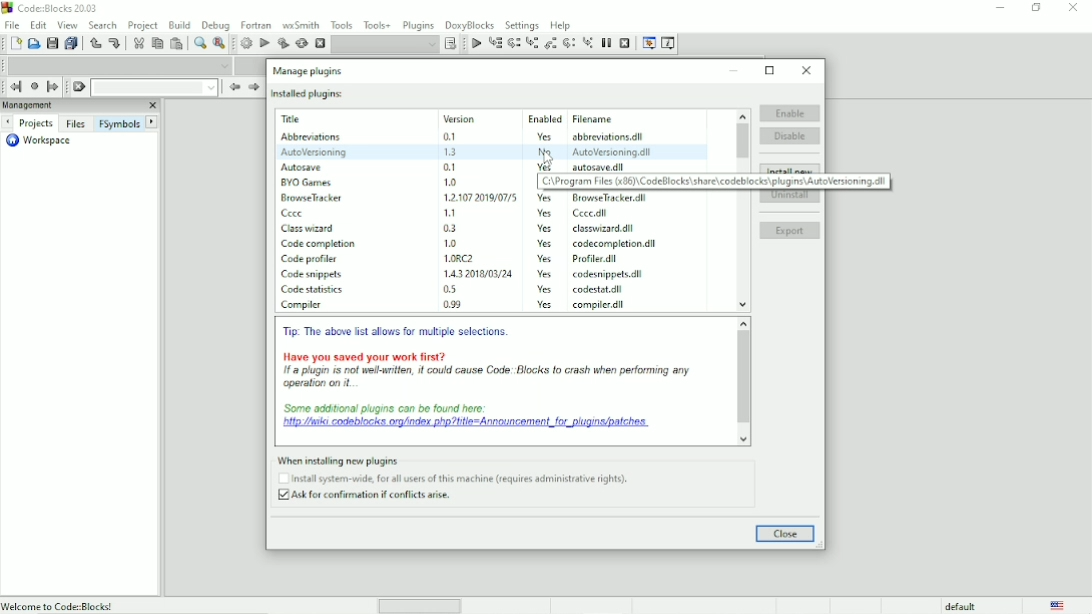  I want to click on Next, so click(253, 88).